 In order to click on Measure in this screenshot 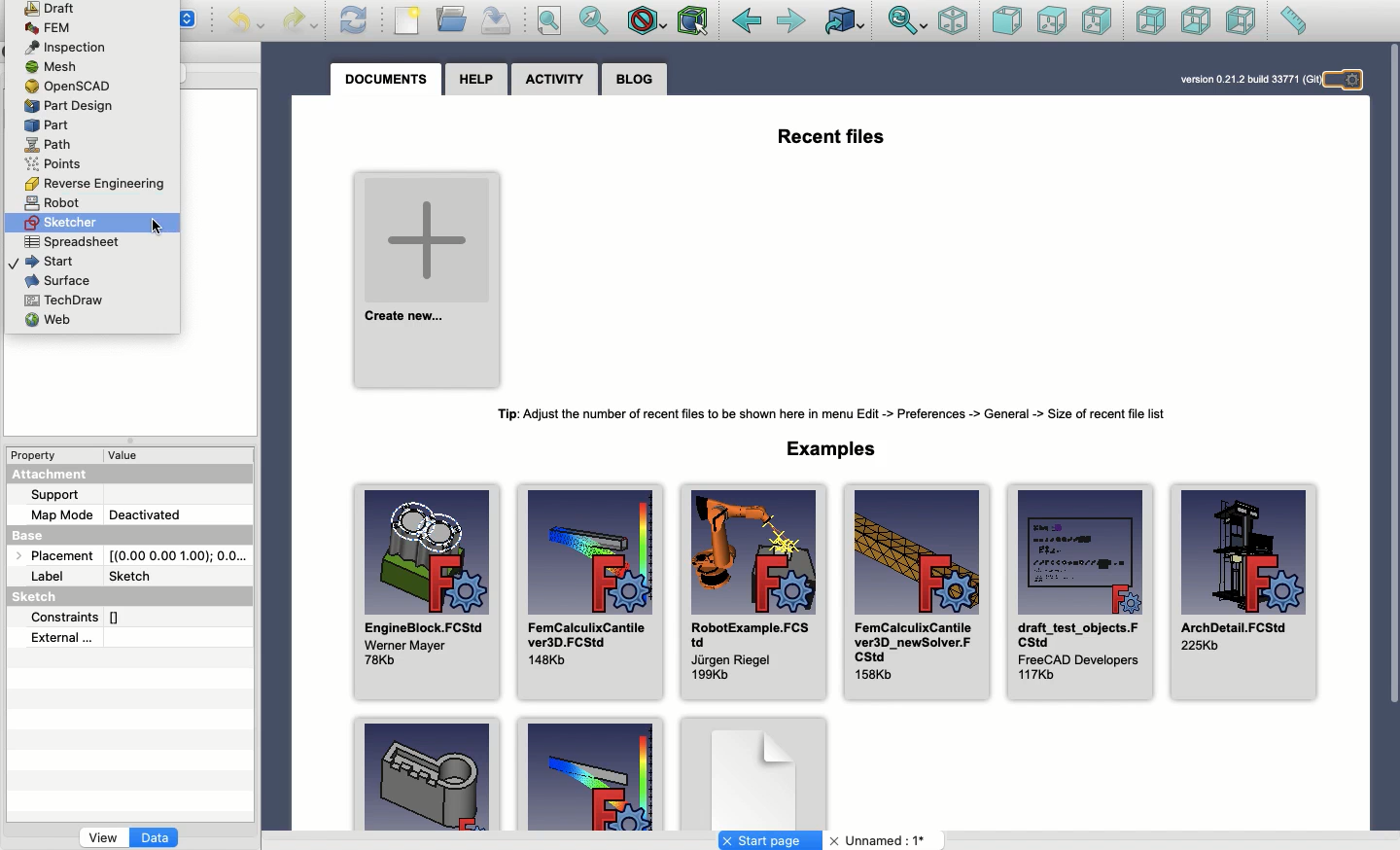, I will do `click(1293, 20)`.